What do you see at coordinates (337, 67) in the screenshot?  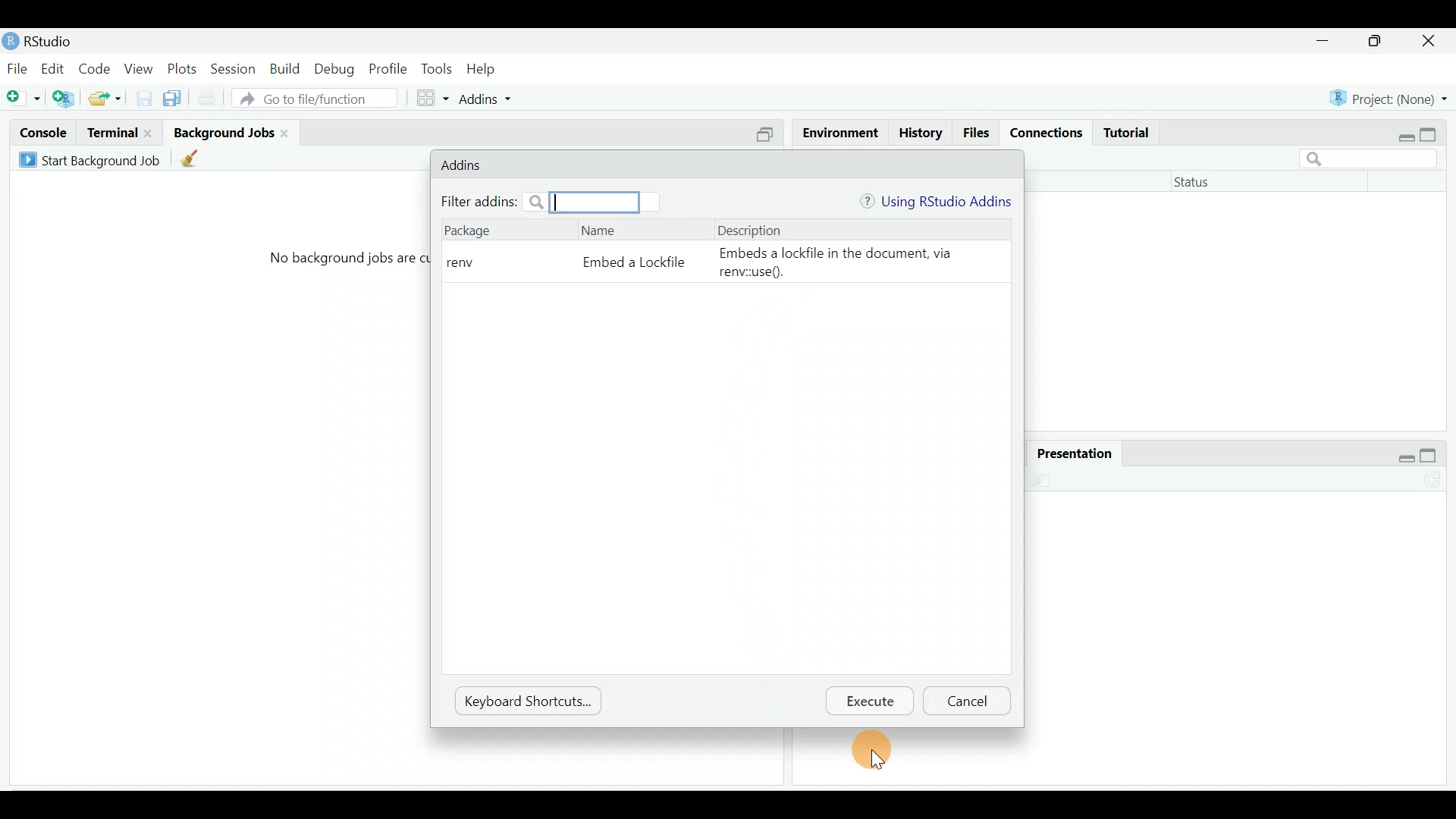 I see `Debug` at bounding box center [337, 67].